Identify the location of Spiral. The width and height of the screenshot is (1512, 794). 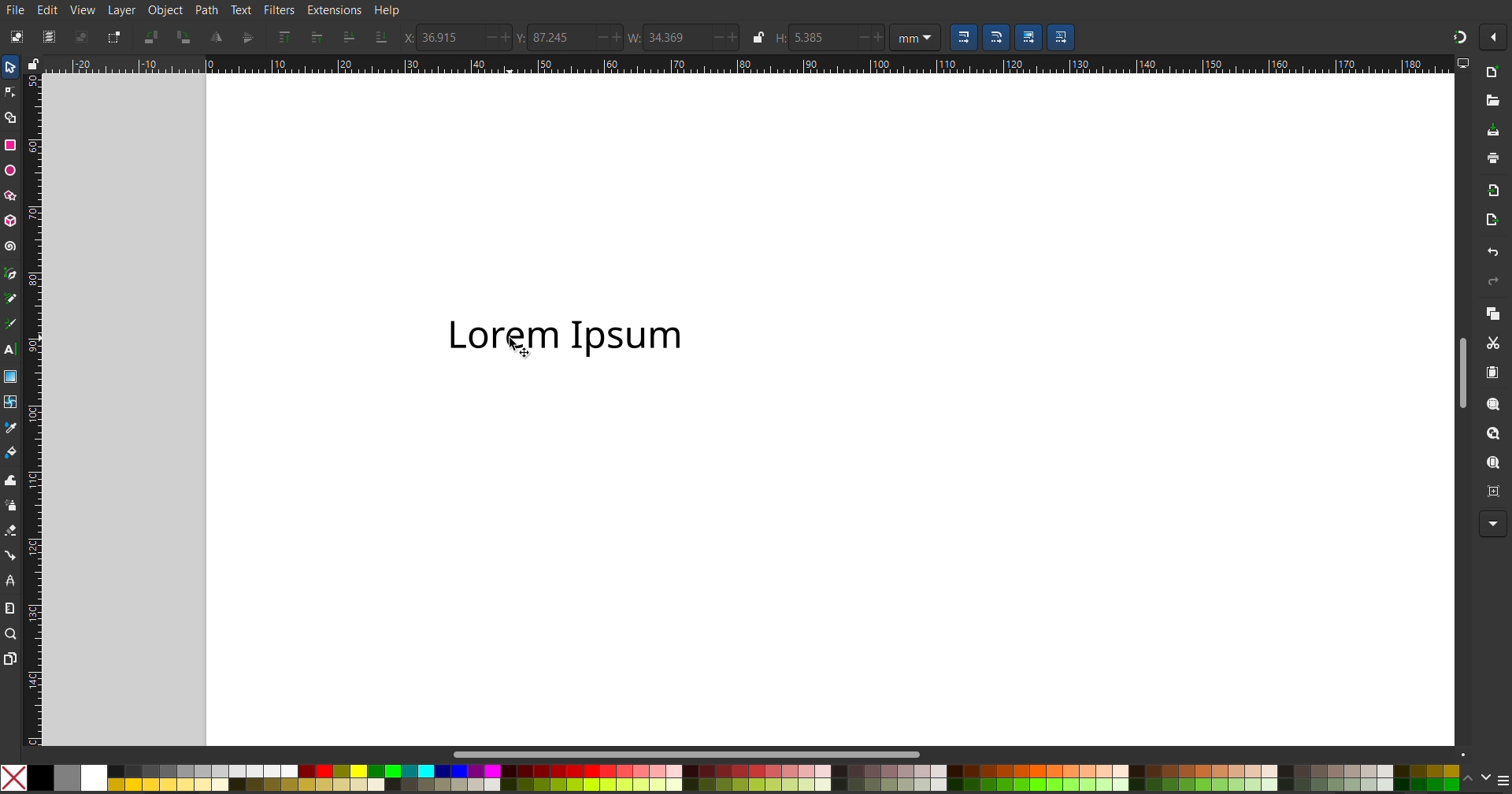
(13, 247).